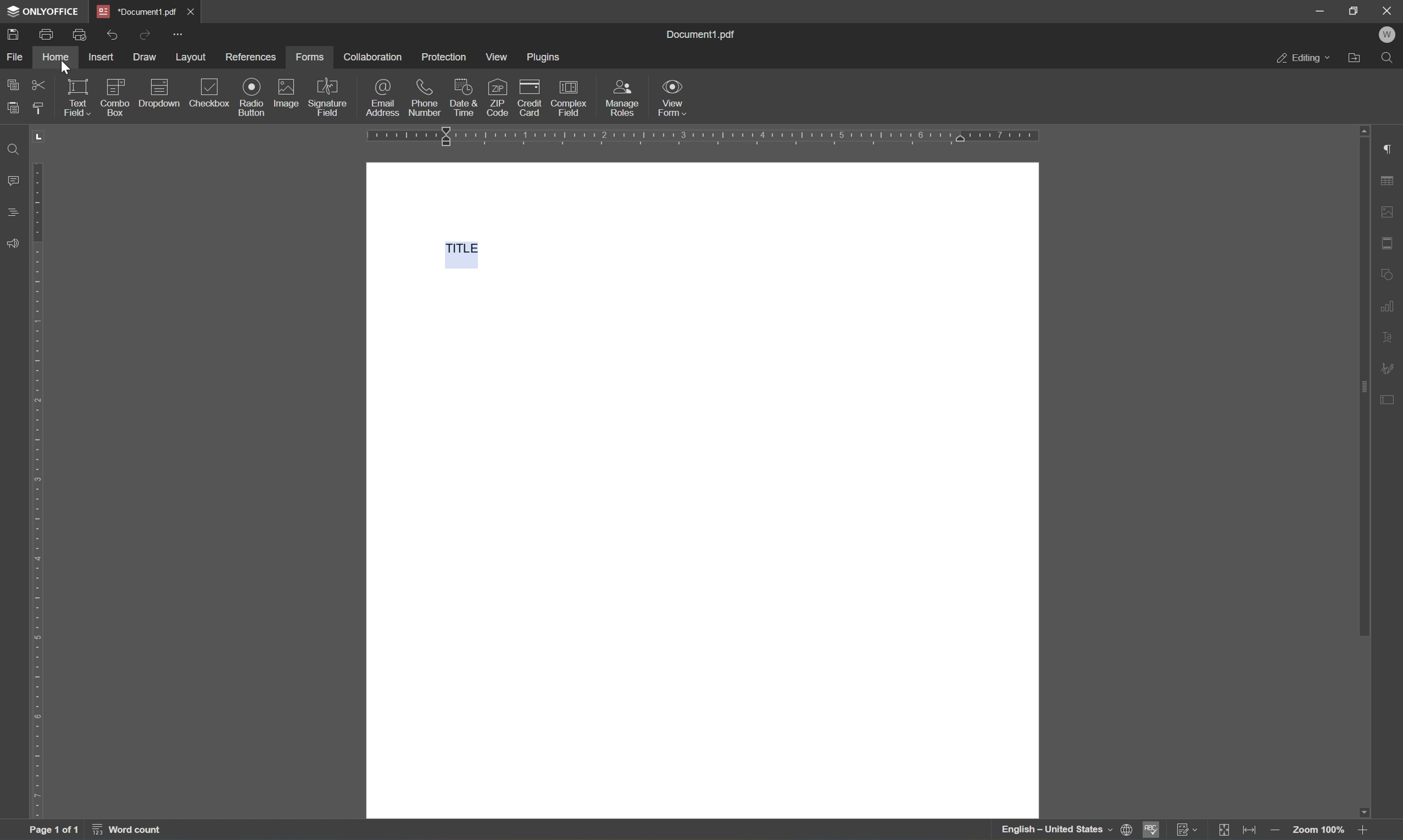  Describe the element at coordinates (544, 57) in the screenshot. I see `plugins` at that location.